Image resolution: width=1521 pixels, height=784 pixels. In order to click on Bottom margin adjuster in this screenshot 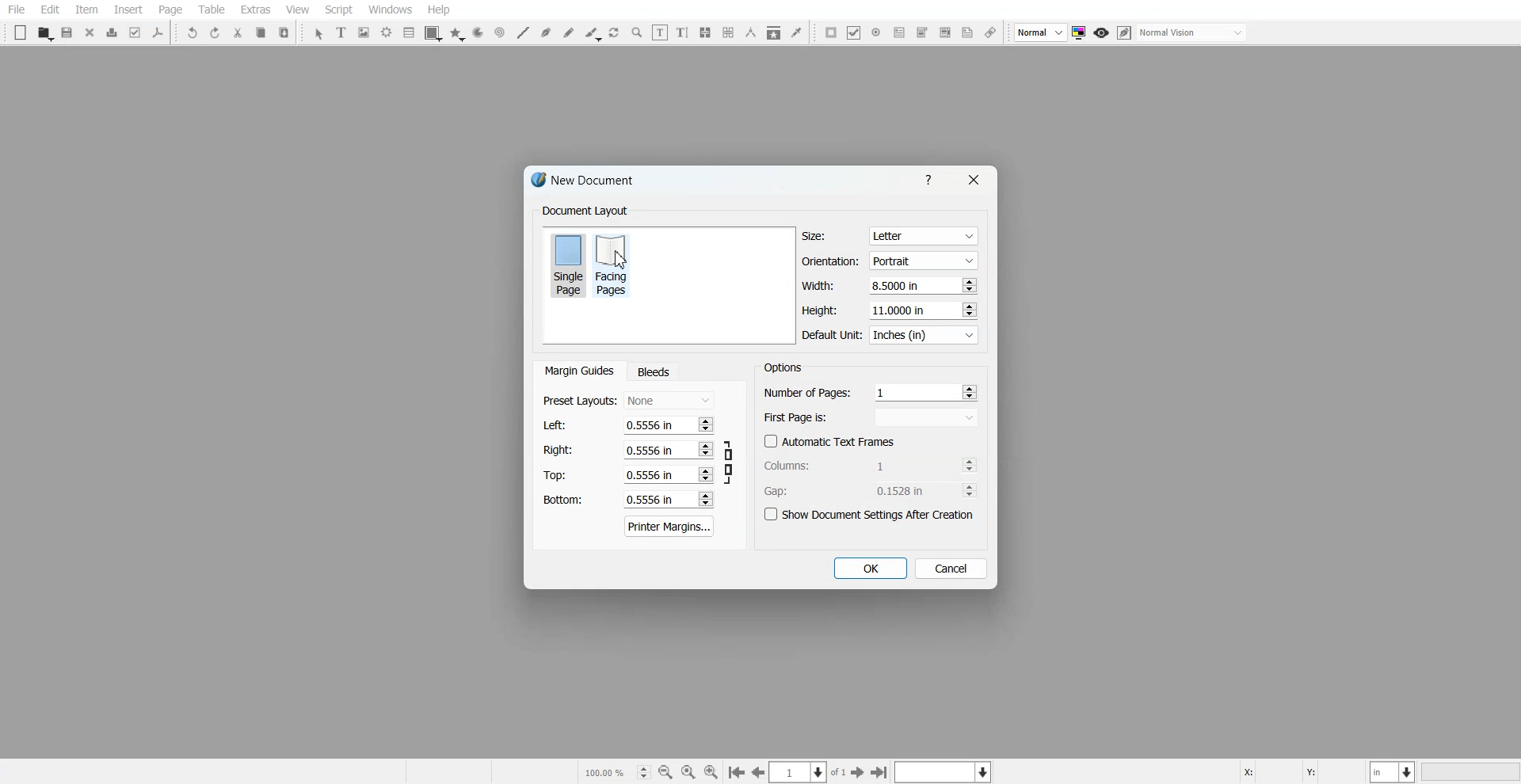, I will do `click(627, 500)`.